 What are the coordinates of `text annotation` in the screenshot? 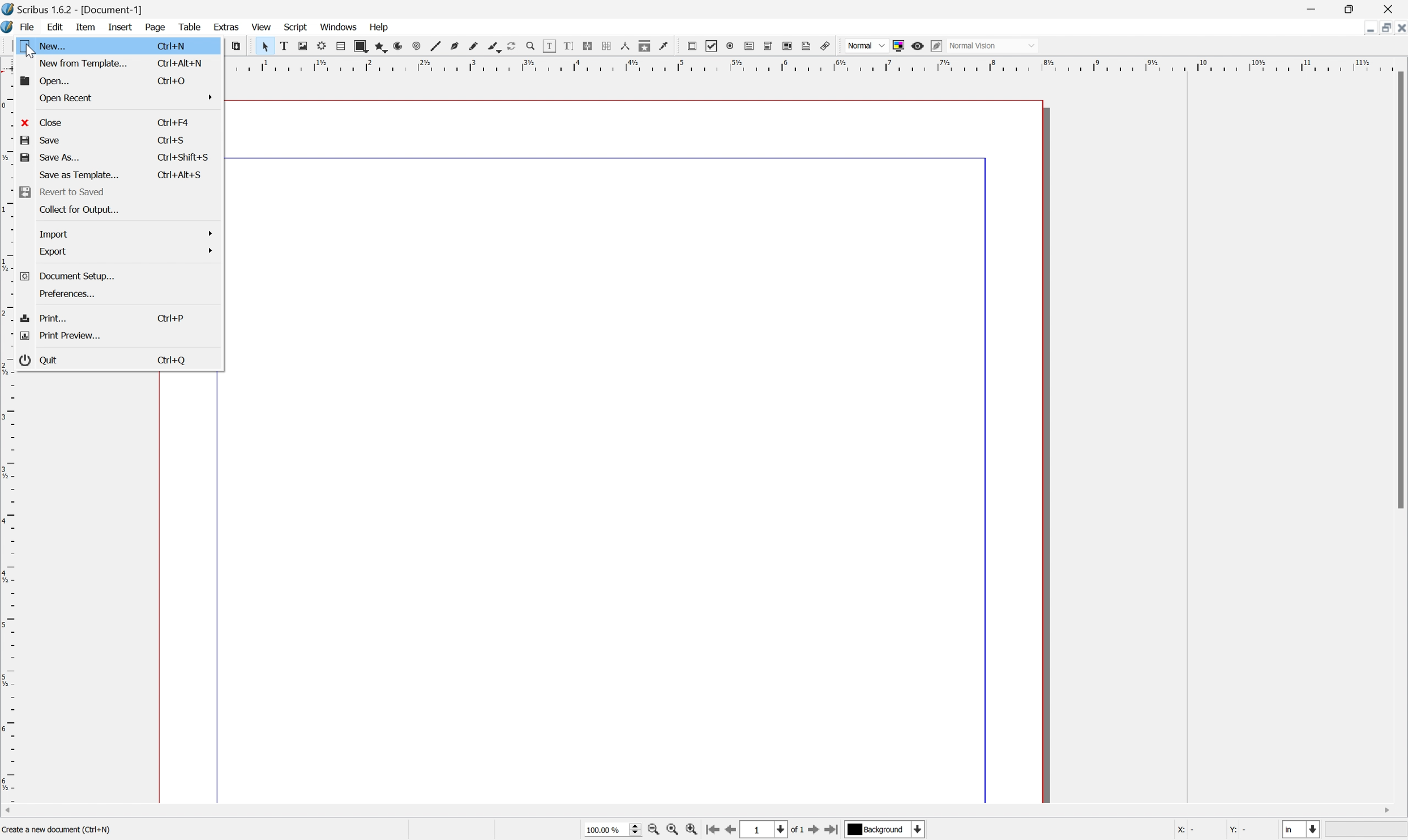 It's located at (807, 46).